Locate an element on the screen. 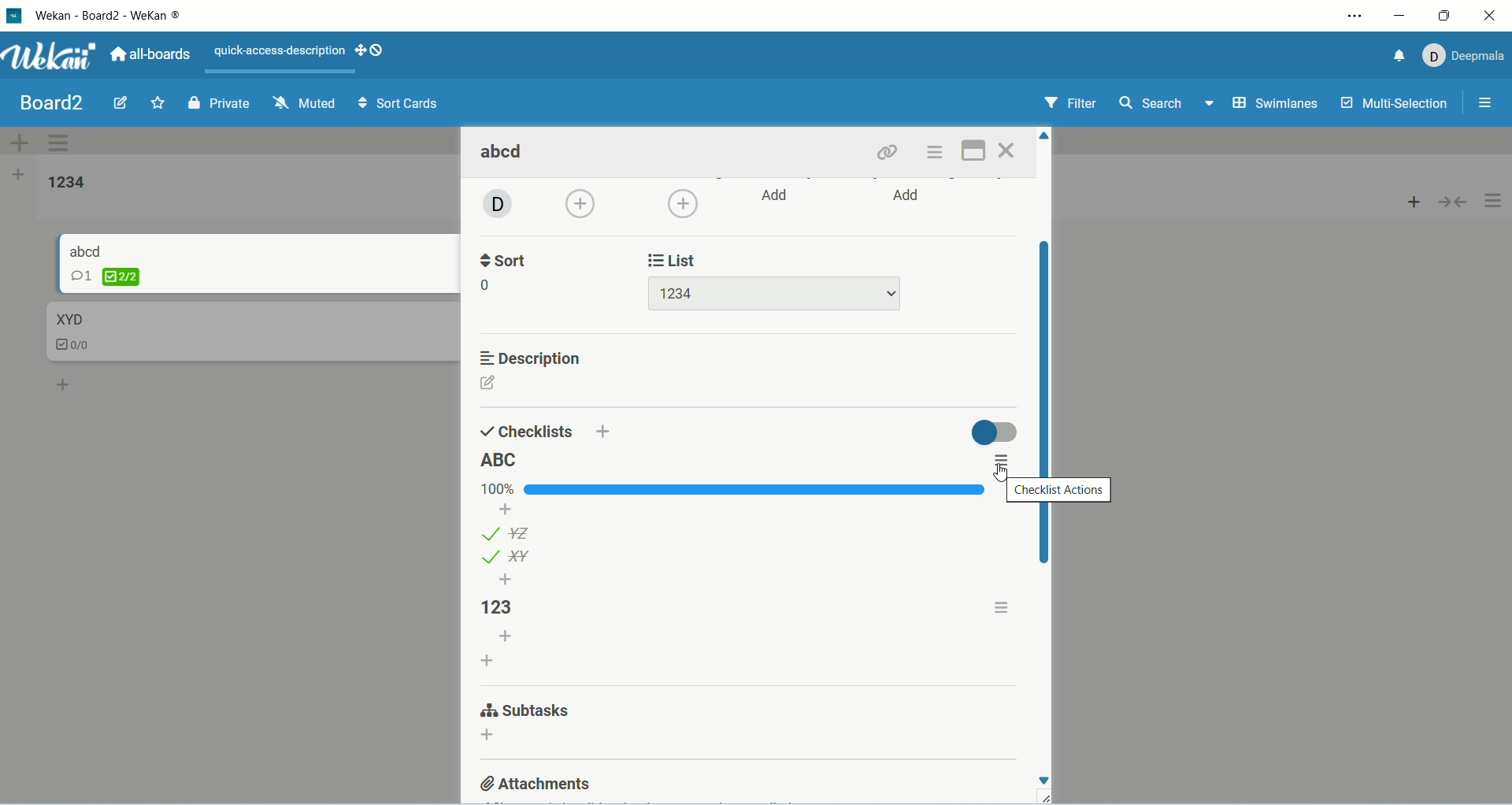 The image size is (1512, 805). add is located at coordinates (1411, 203).